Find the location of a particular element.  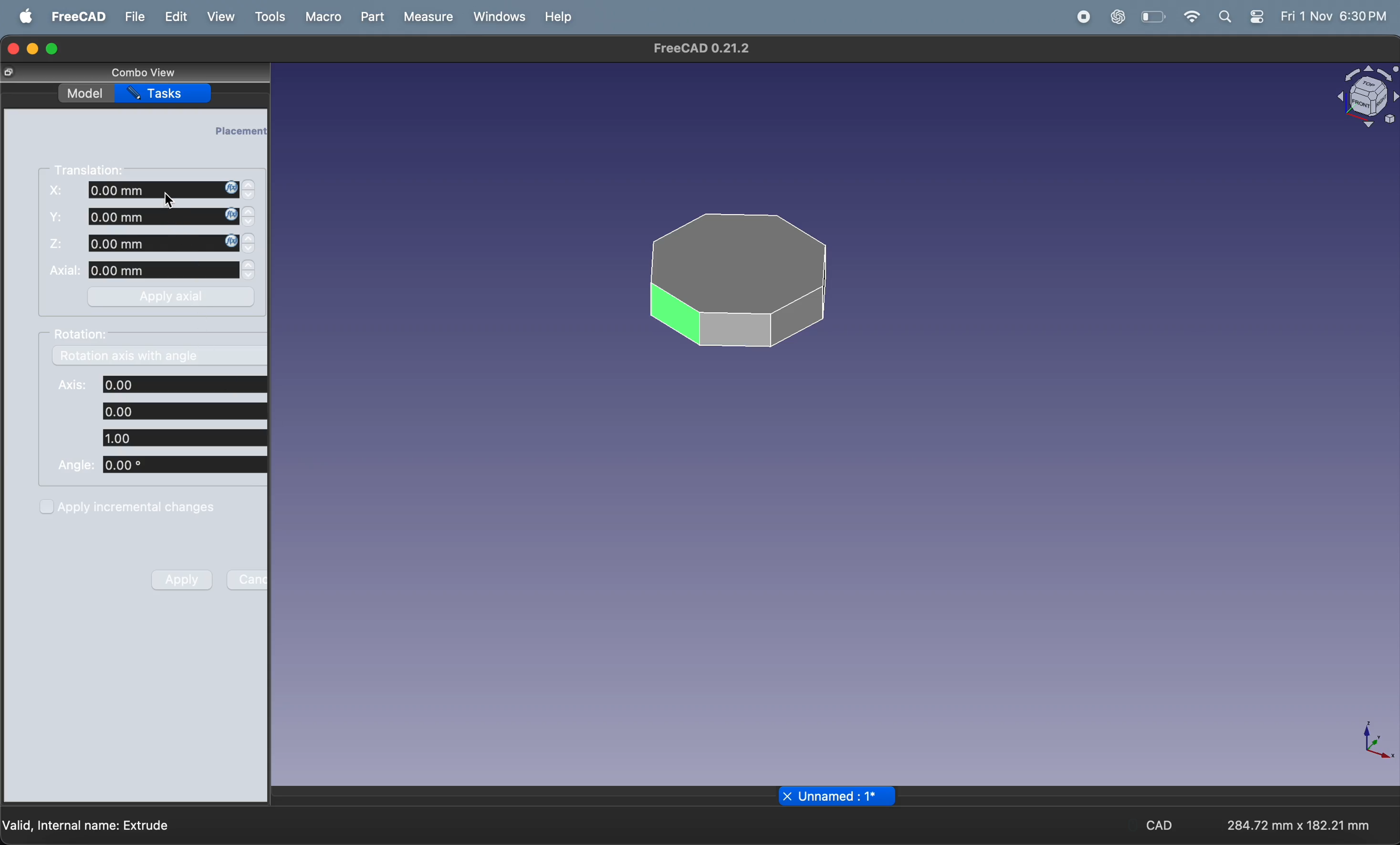

Y: 0.00 mm is located at coordinates (141, 217).